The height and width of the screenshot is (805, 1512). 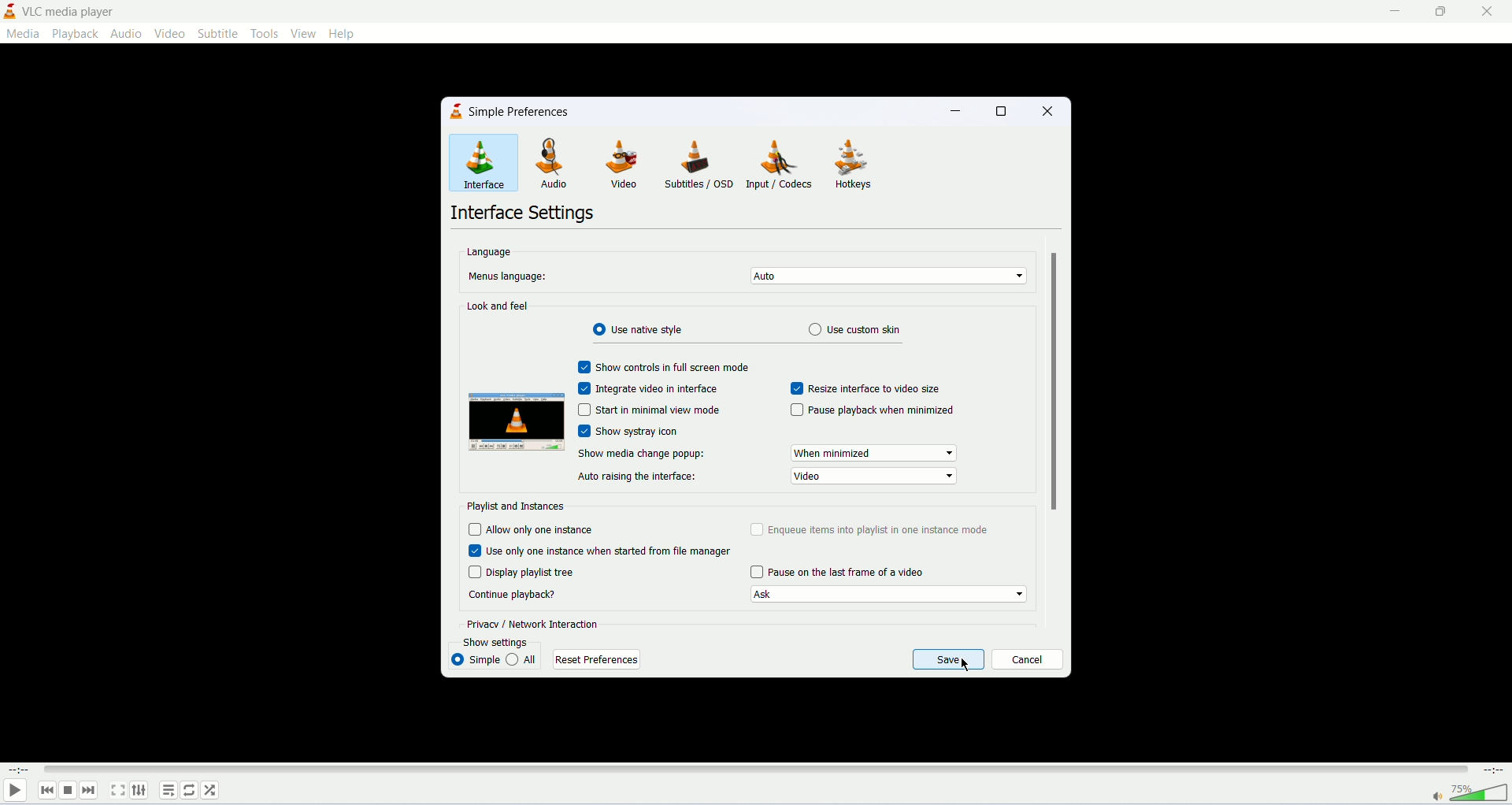 I want to click on logo, so click(x=456, y=112).